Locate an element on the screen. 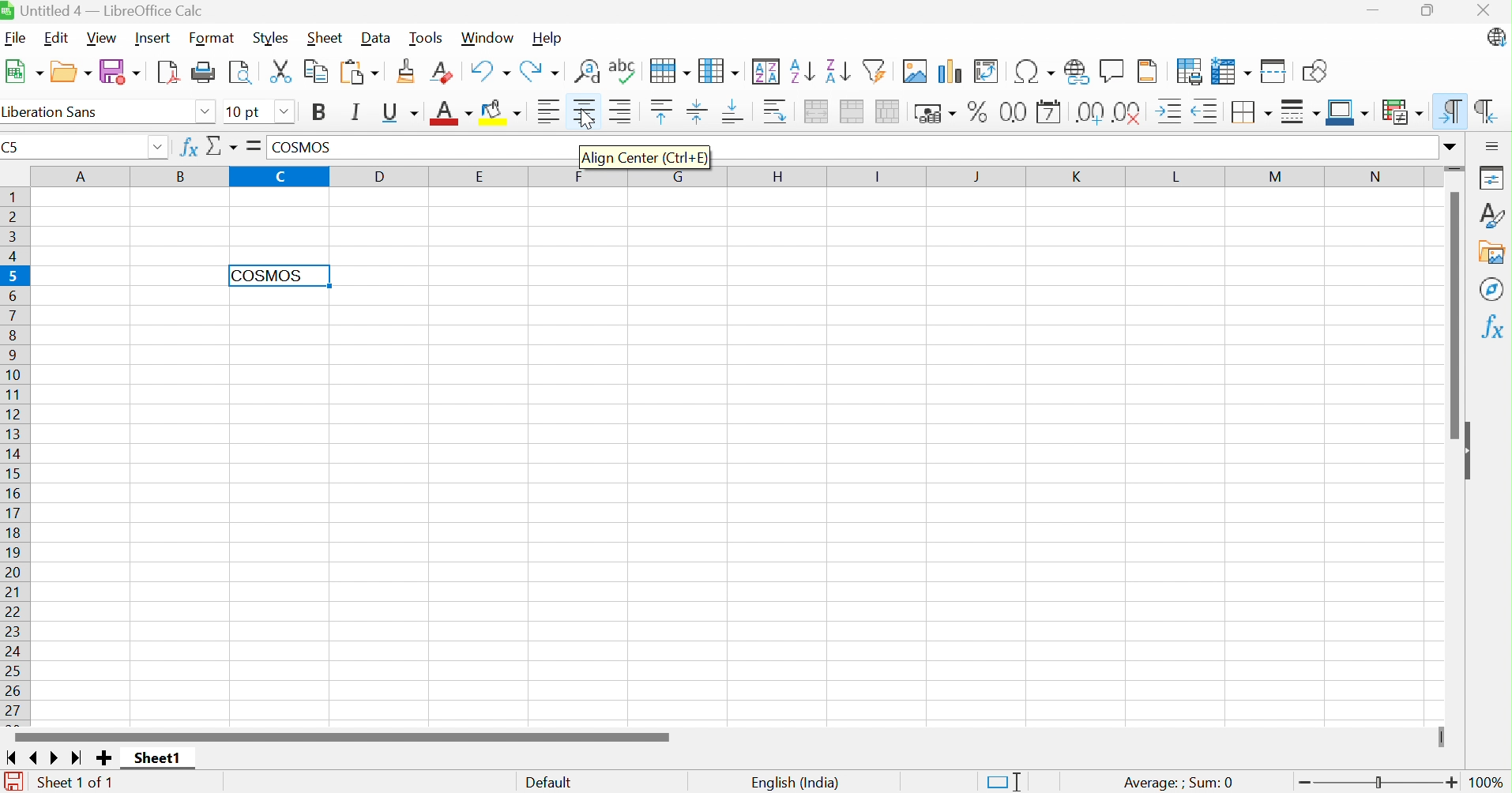 The width and height of the screenshot is (1512, 793). Close is located at coordinates (1482, 10).